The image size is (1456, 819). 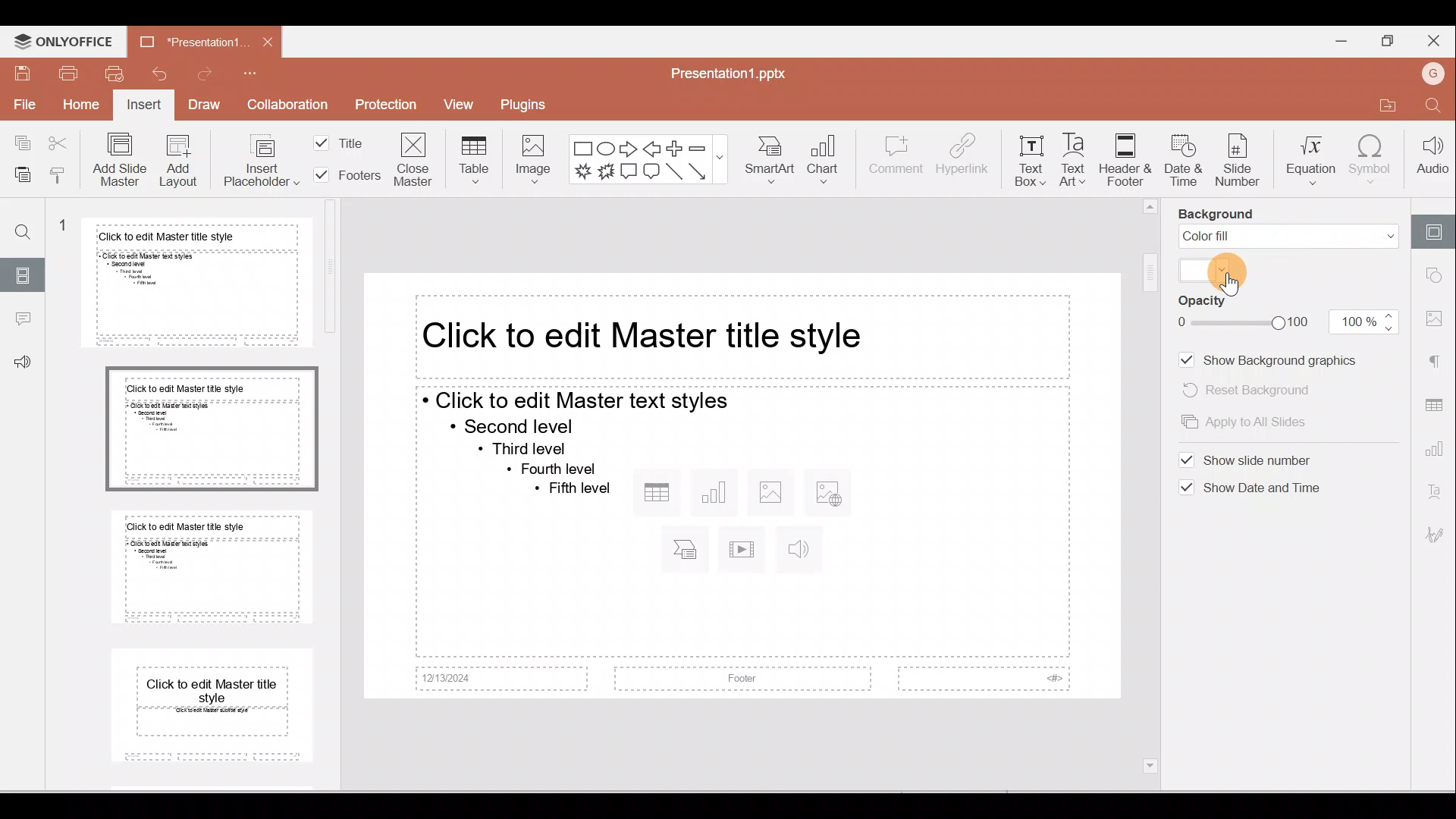 I want to click on Rectangle, so click(x=582, y=147).